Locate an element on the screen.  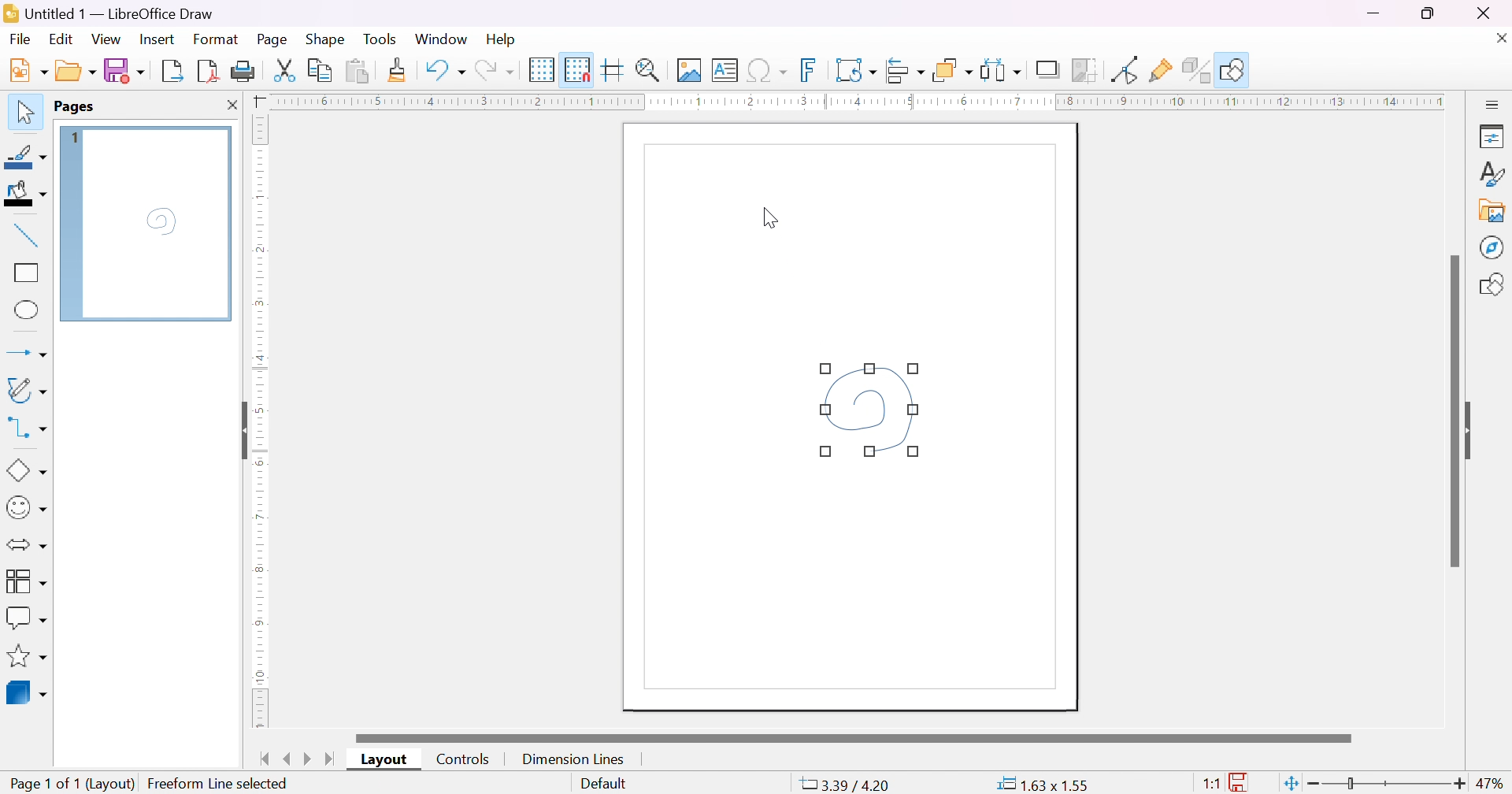
ruler is located at coordinates (258, 421).